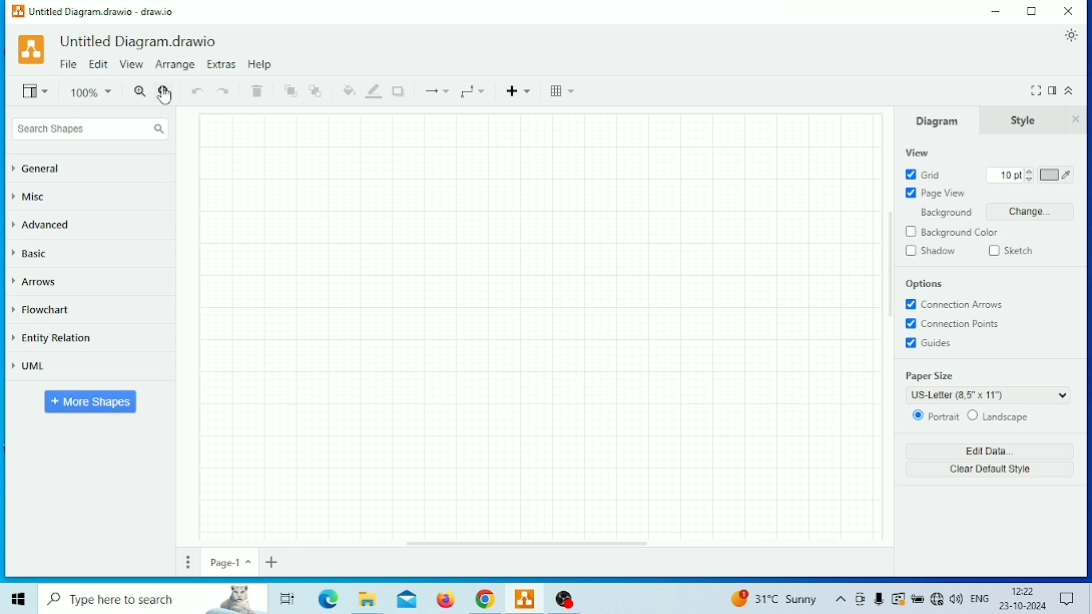 Image resolution: width=1092 pixels, height=614 pixels. Describe the element at coordinates (35, 282) in the screenshot. I see `Arrows` at that location.